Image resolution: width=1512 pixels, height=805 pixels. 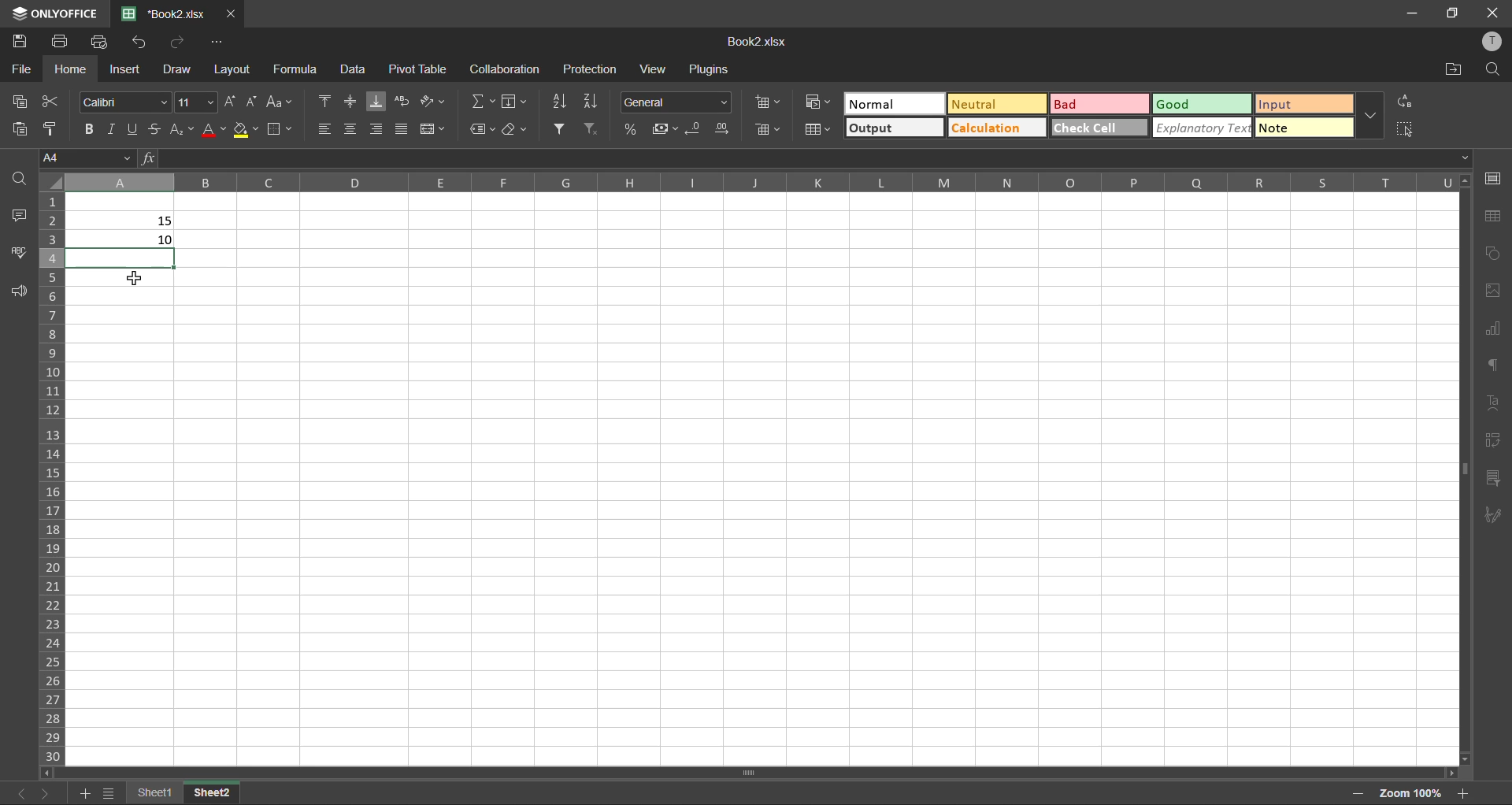 I want to click on feedback, so click(x=21, y=292).